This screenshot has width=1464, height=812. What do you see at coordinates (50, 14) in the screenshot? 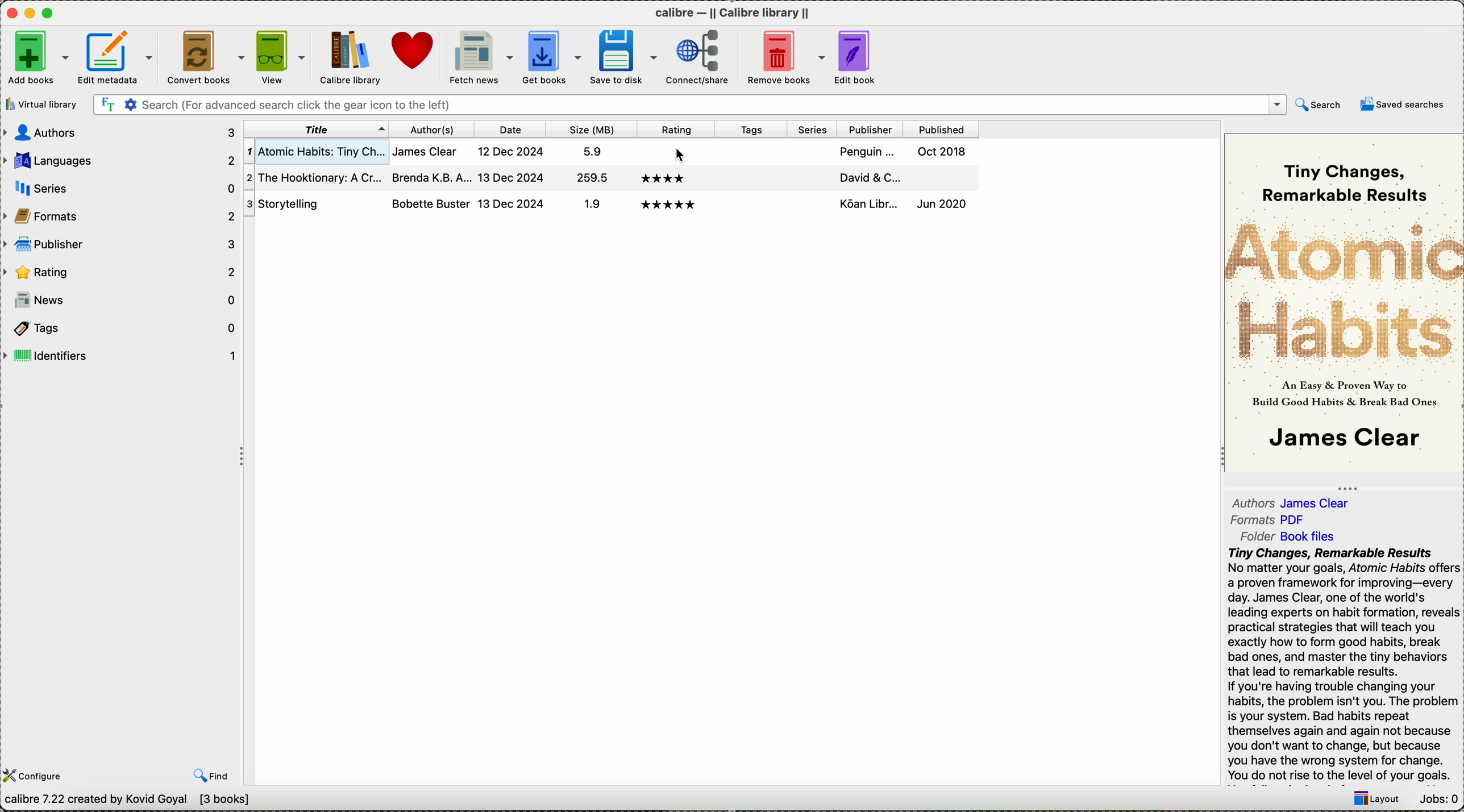
I see `maximize` at bounding box center [50, 14].